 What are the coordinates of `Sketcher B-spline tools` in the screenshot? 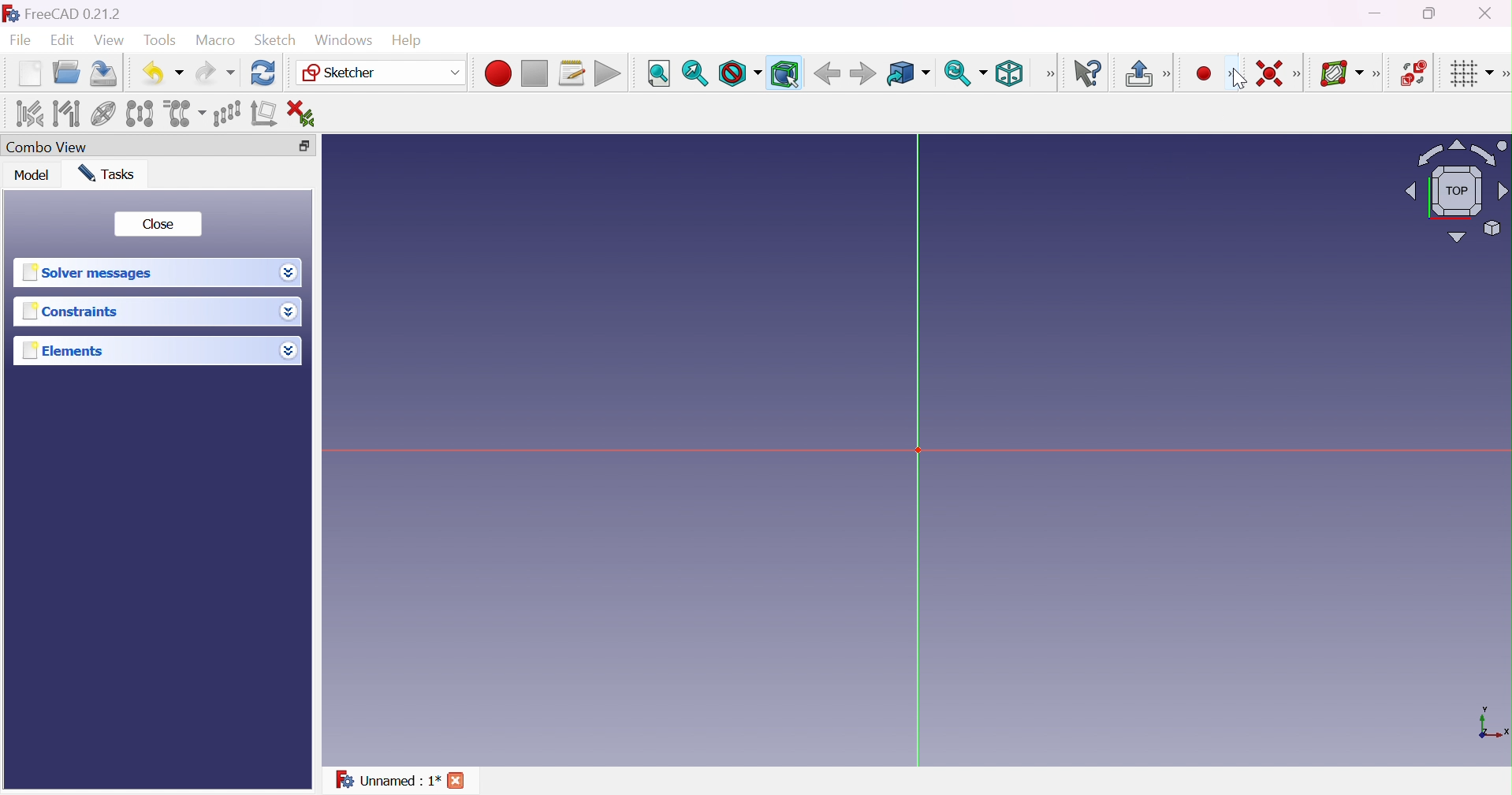 It's located at (1381, 76).